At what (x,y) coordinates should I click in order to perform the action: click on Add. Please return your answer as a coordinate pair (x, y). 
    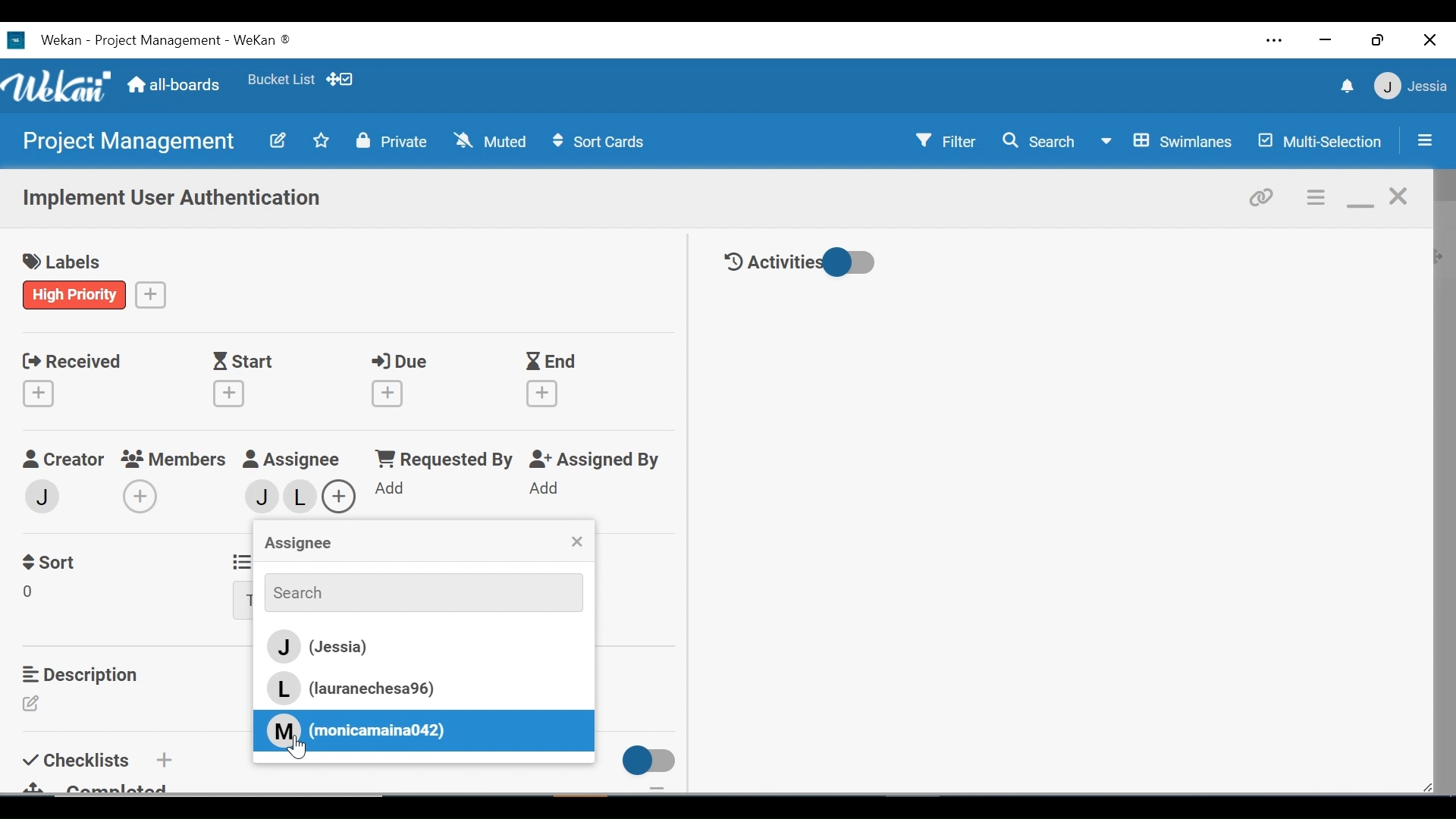
    Looking at the image, I should click on (543, 489).